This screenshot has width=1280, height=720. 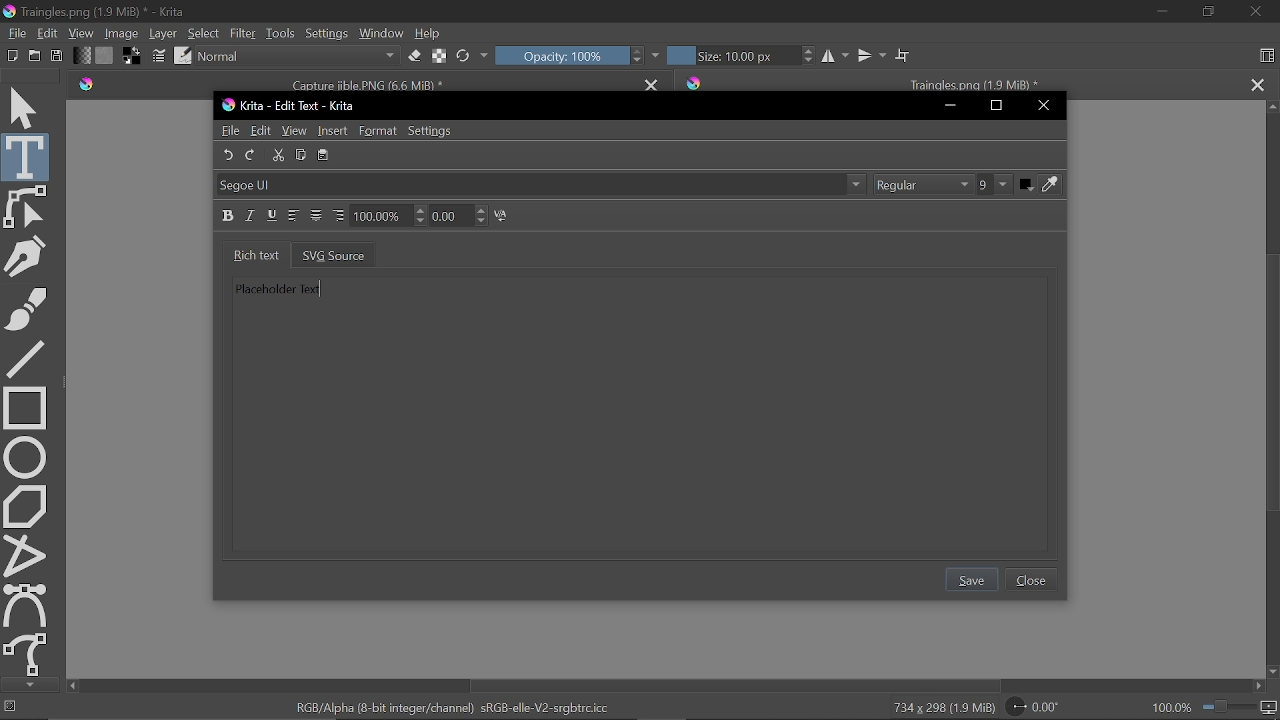 I want to click on Choose workspace, so click(x=1266, y=53).